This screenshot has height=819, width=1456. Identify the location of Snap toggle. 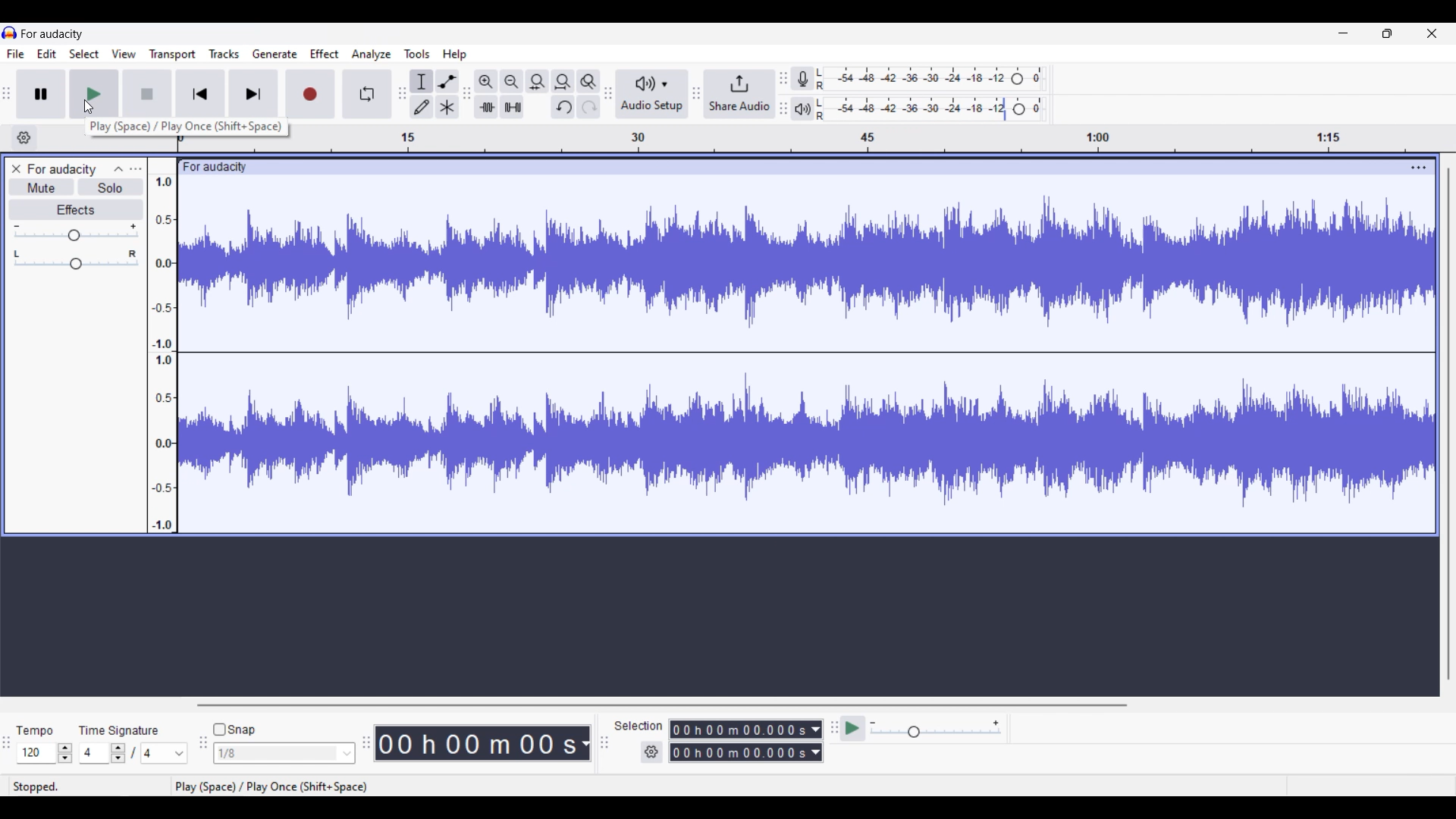
(234, 730).